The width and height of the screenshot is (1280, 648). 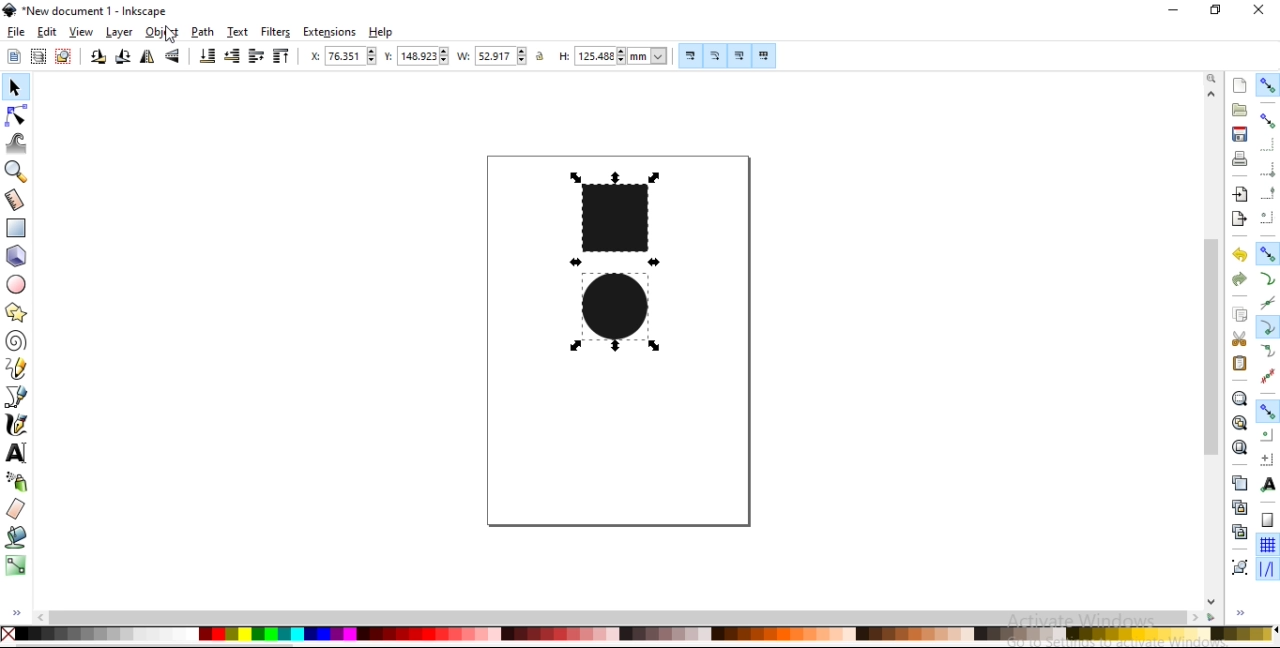 I want to click on minimize, so click(x=1171, y=9).